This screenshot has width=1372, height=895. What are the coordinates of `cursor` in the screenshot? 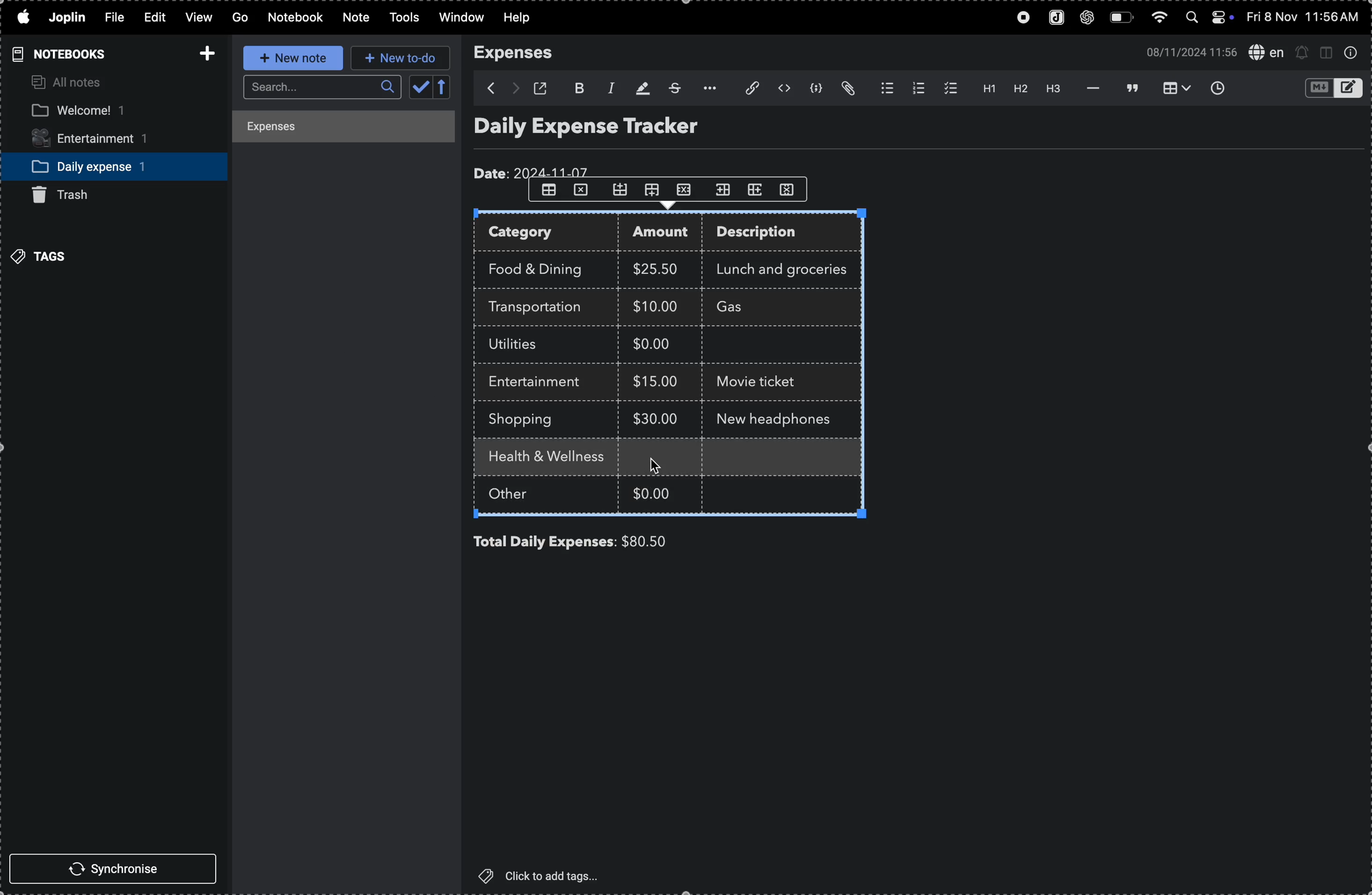 It's located at (657, 464).